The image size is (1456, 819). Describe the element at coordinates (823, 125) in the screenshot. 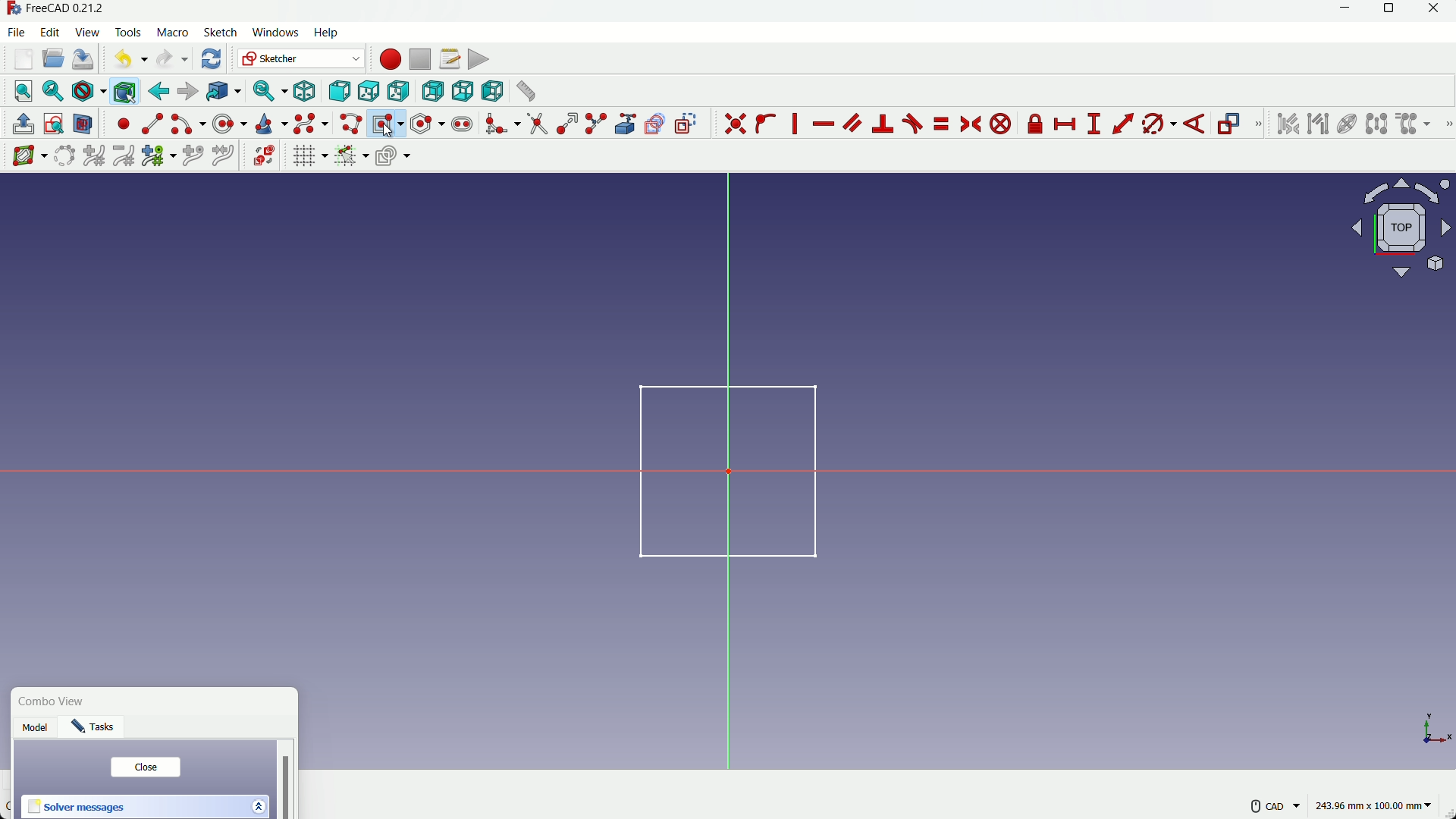

I see `constraint horizontal` at that location.